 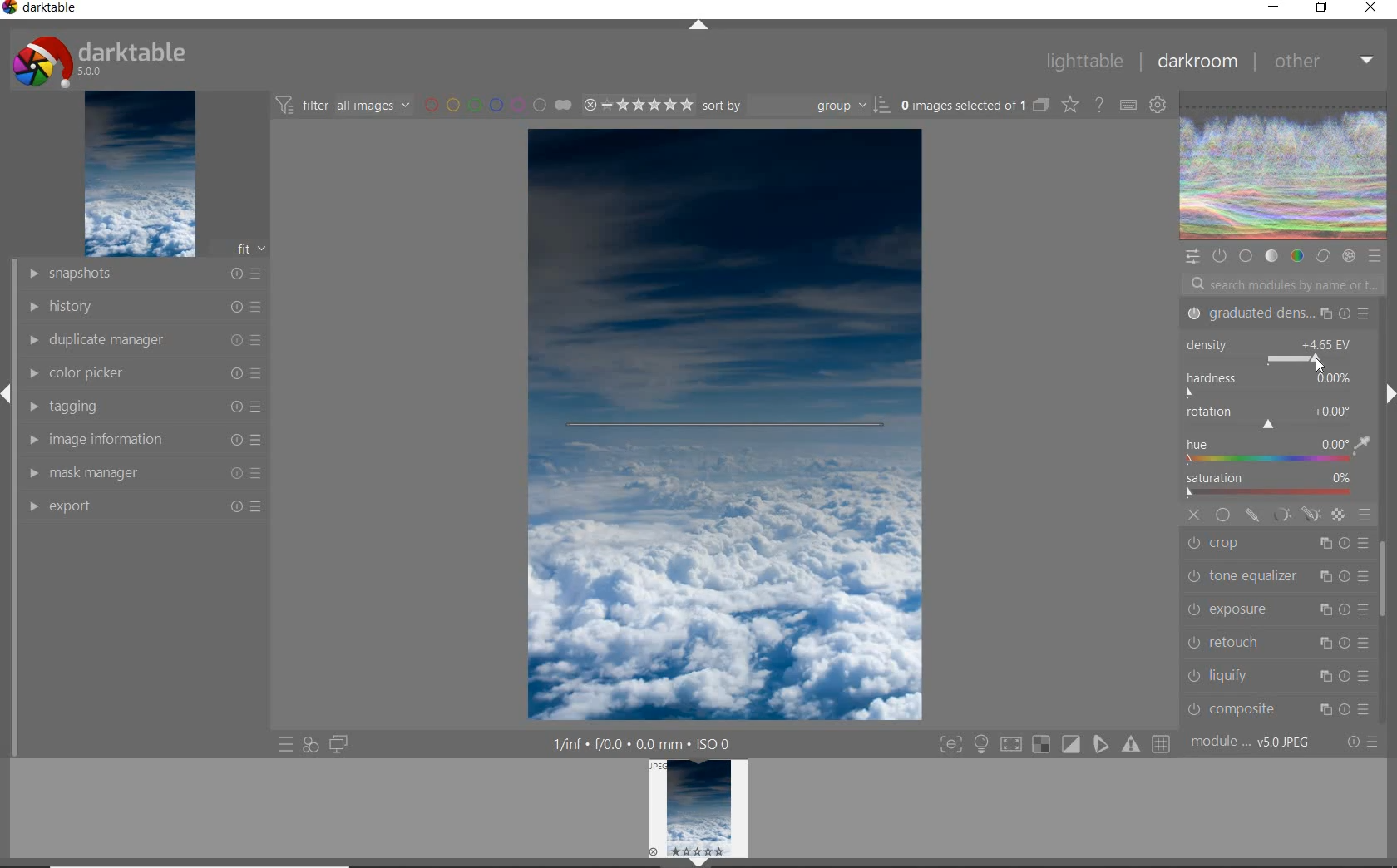 What do you see at coordinates (1042, 104) in the screenshot?
I see `COLLAPSE GROUPED IMAGES` at bounding box center [1042, 104].